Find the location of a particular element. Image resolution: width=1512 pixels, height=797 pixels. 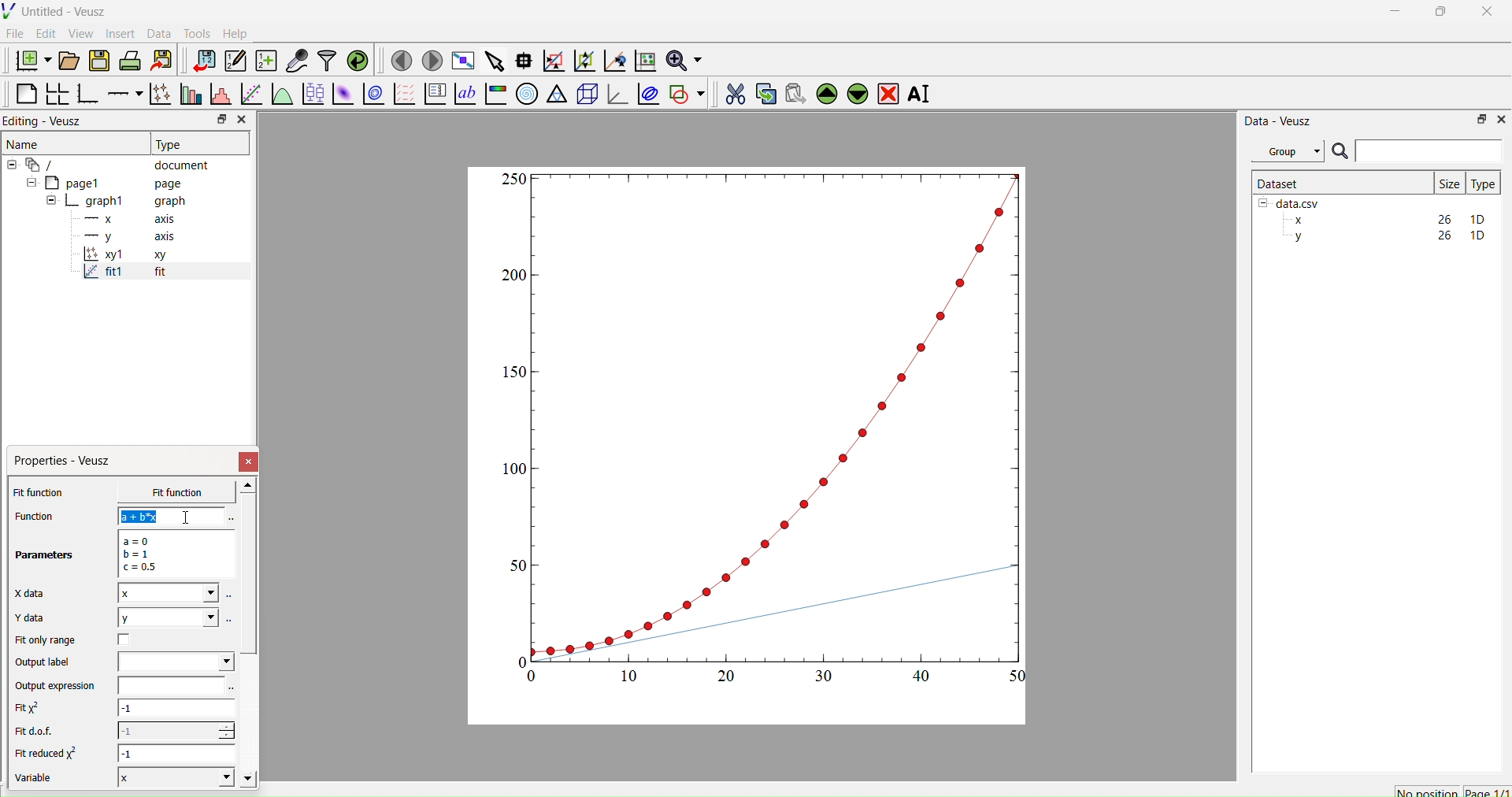

Y data is located at coordinates (39, 618).